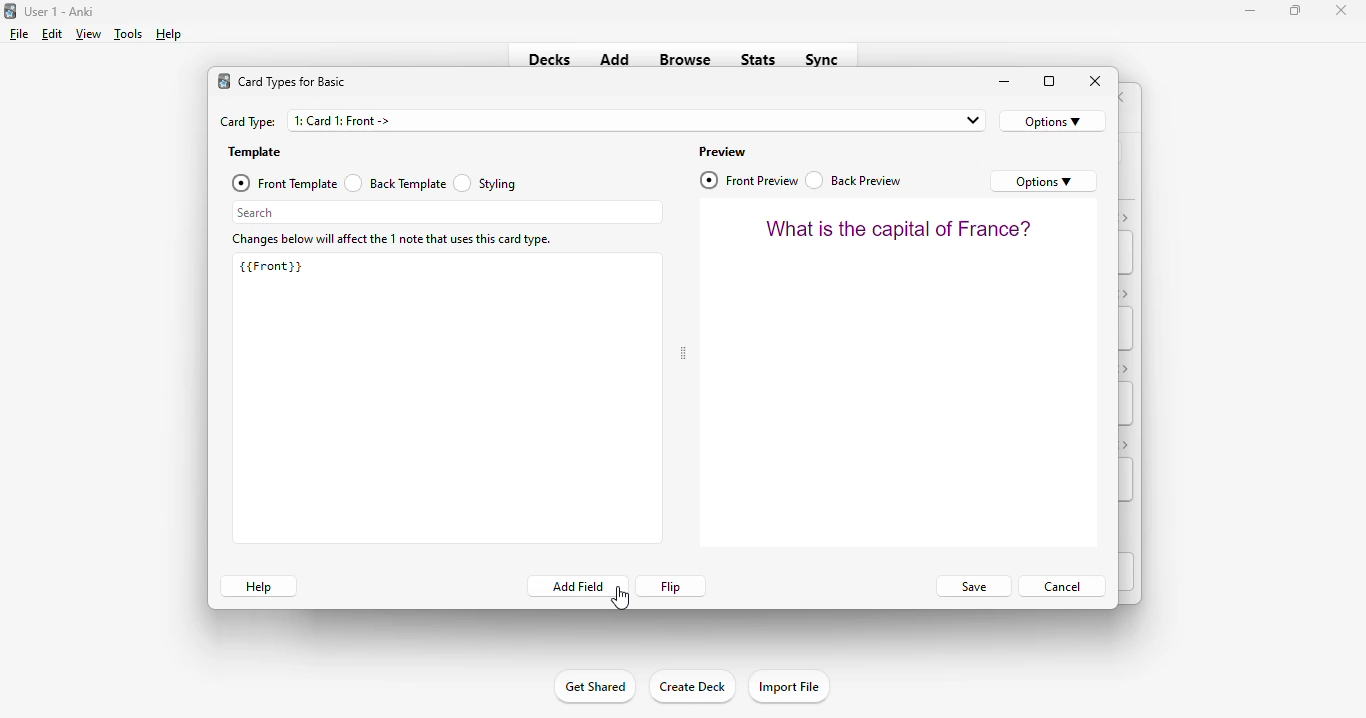 The image size is (1366, 718). What do you see at coordinates (615, 58) in the screenshot?
I see `add` at bounding box center [615, 58].